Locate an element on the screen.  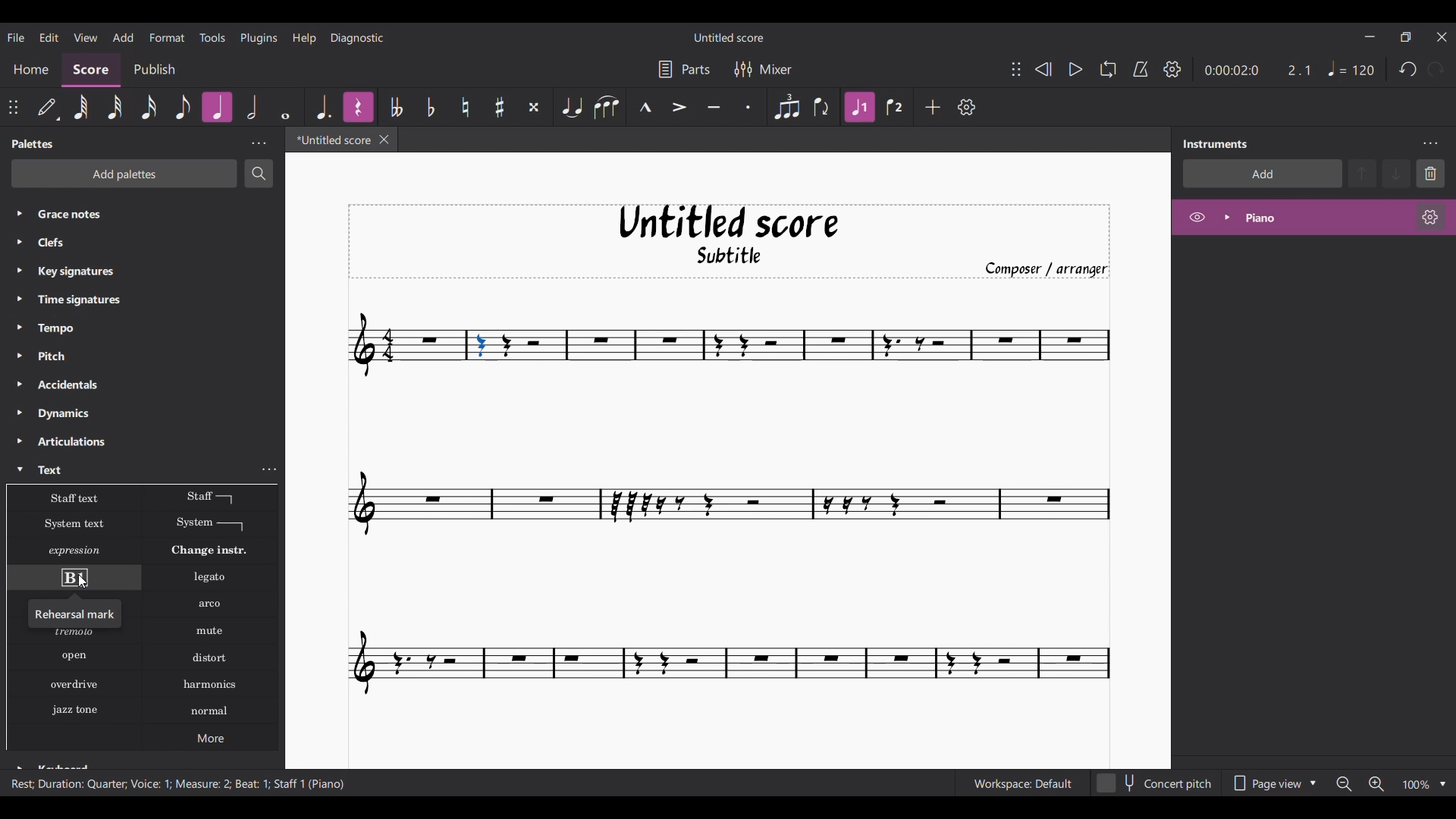
Tools menu is located at coordinates (213, 36).